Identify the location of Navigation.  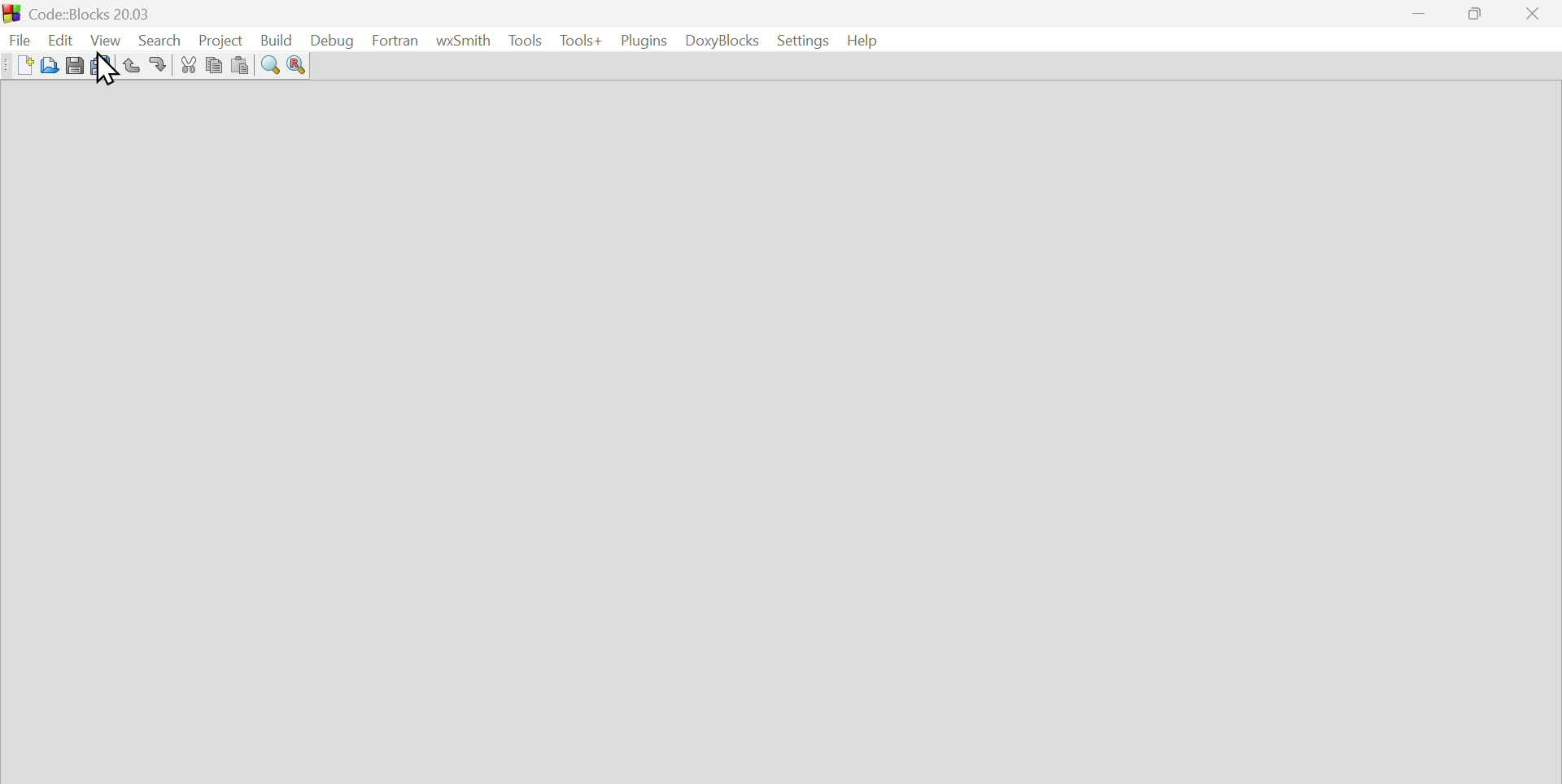
(333, 41).